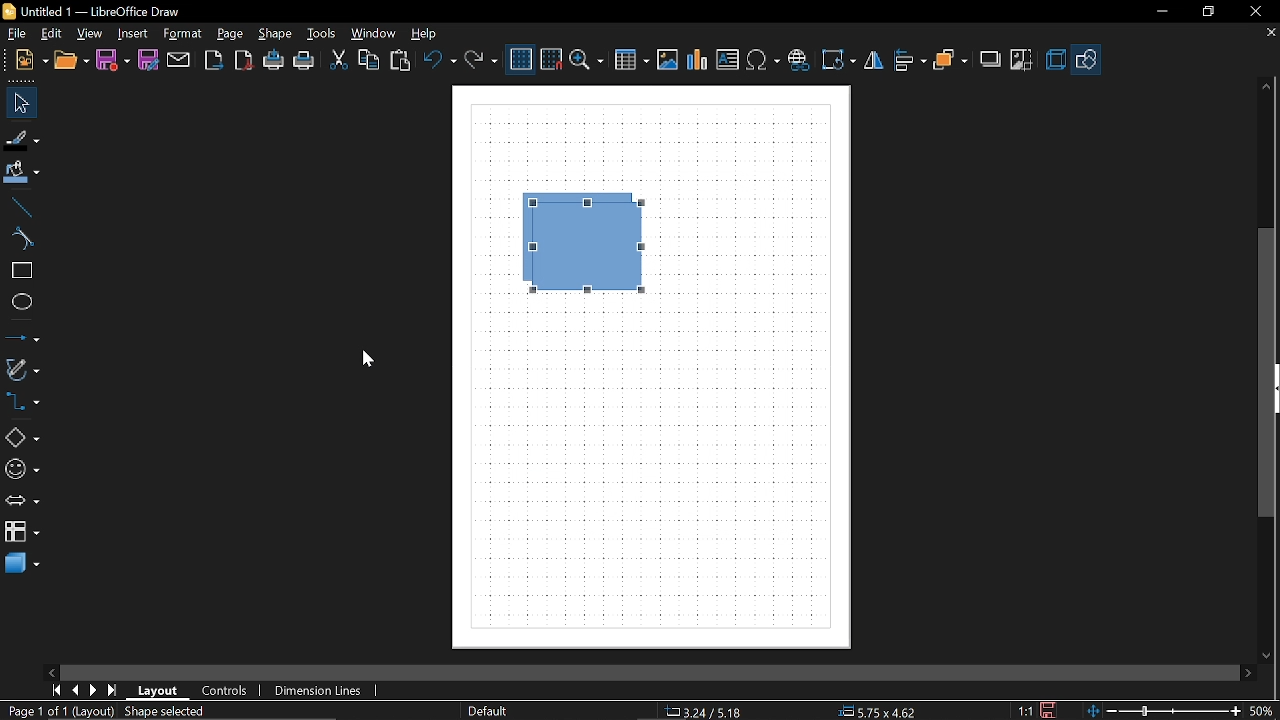 This screenshot has width=1280, height=720. I want to click on Close, so click(1254, 12).